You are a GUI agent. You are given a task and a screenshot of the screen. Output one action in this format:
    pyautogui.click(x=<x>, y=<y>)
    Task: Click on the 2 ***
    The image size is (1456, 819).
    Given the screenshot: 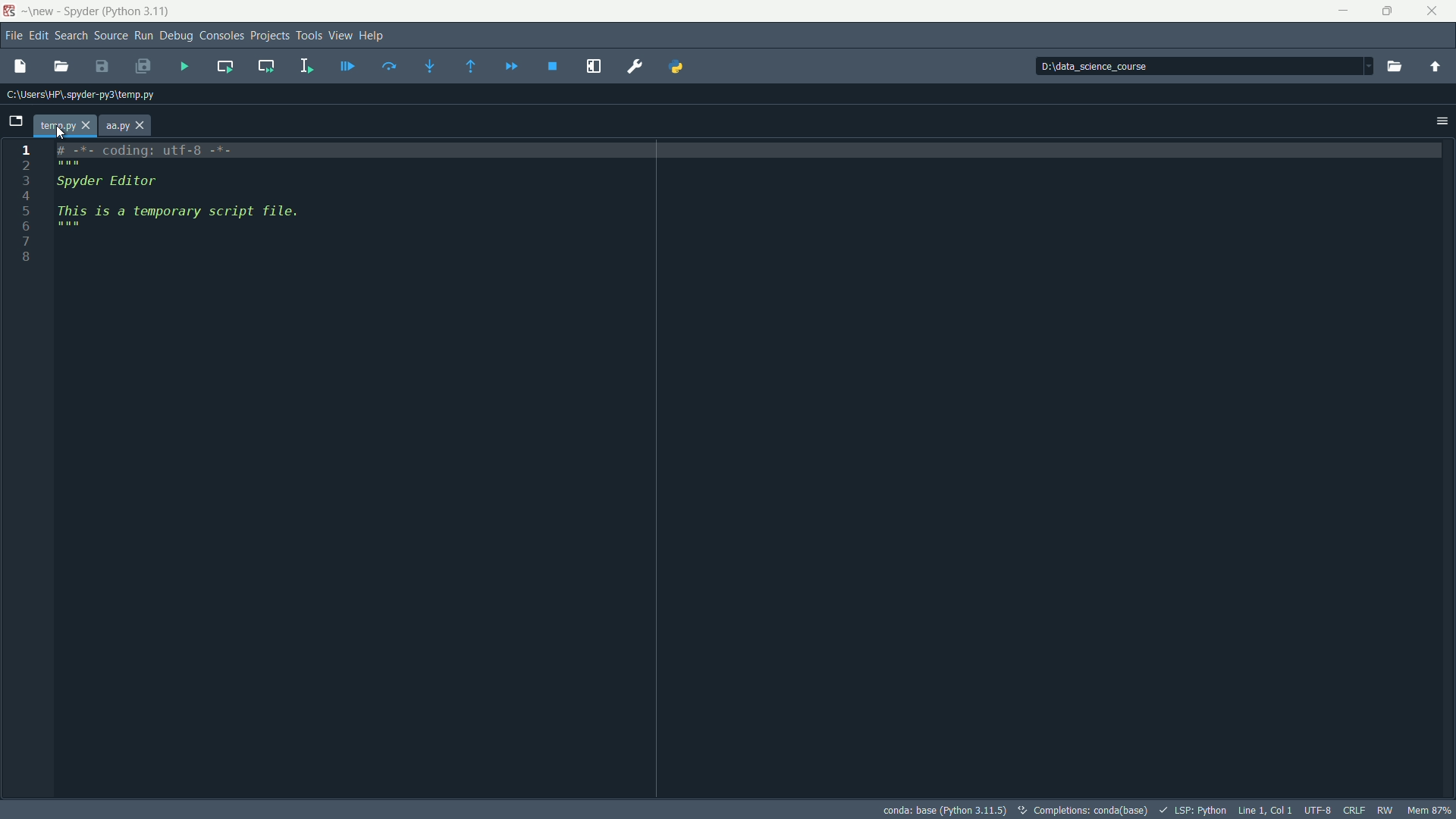 What is the action you would take?
    pyautogui.click(x=155, y=164)
    